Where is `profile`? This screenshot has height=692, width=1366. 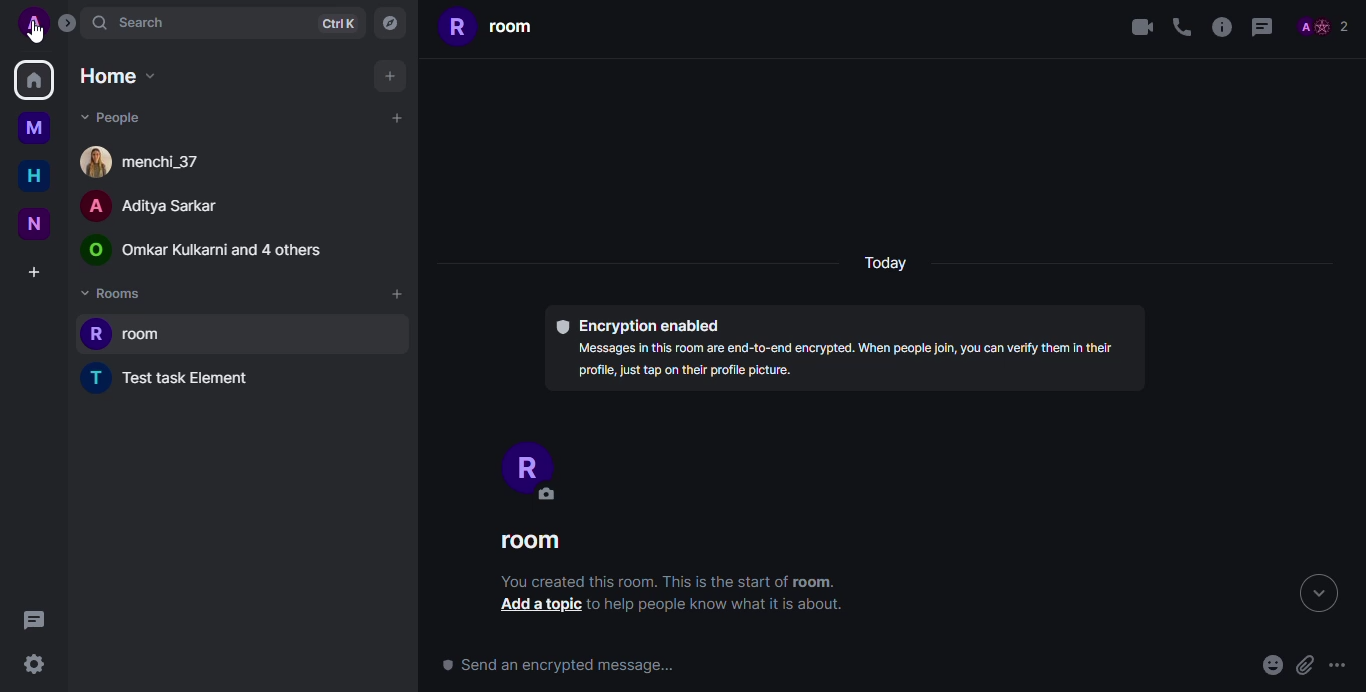 profile is located at coordinates (532, 468).